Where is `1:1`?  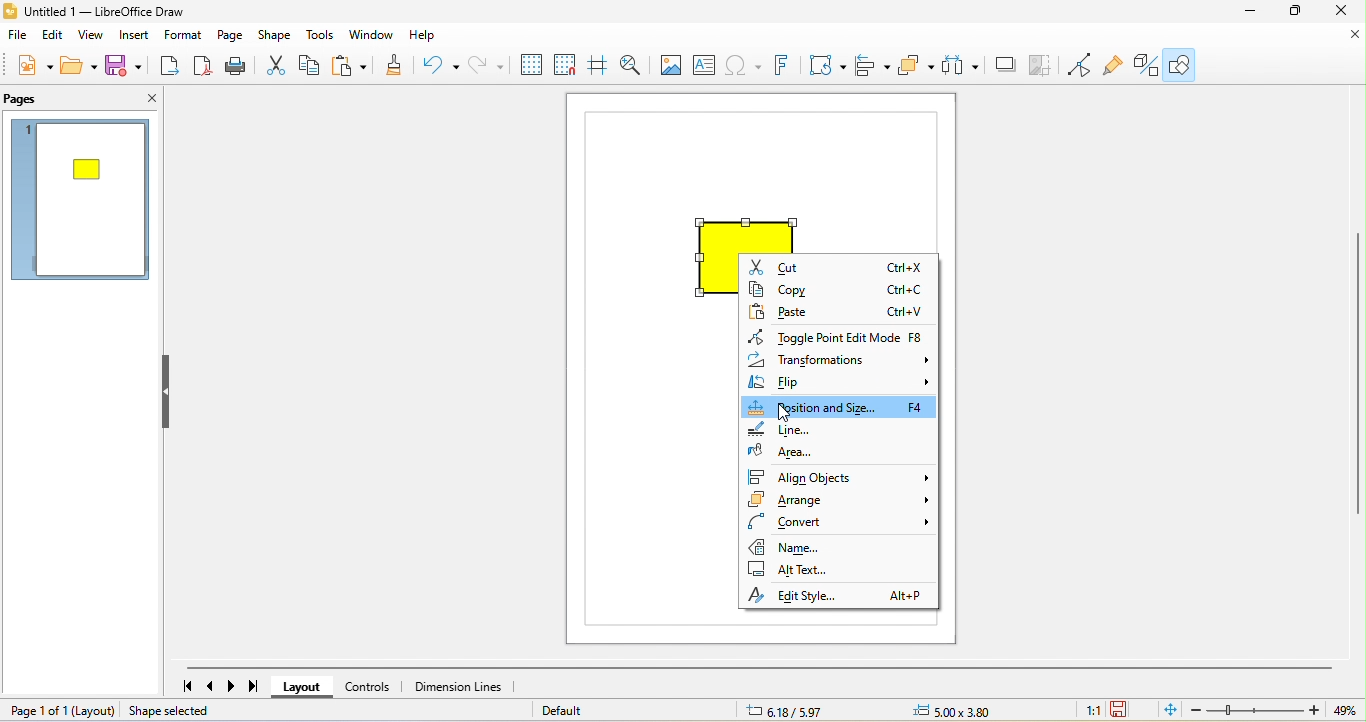 1:1 is located at coordinates (1093, 712).